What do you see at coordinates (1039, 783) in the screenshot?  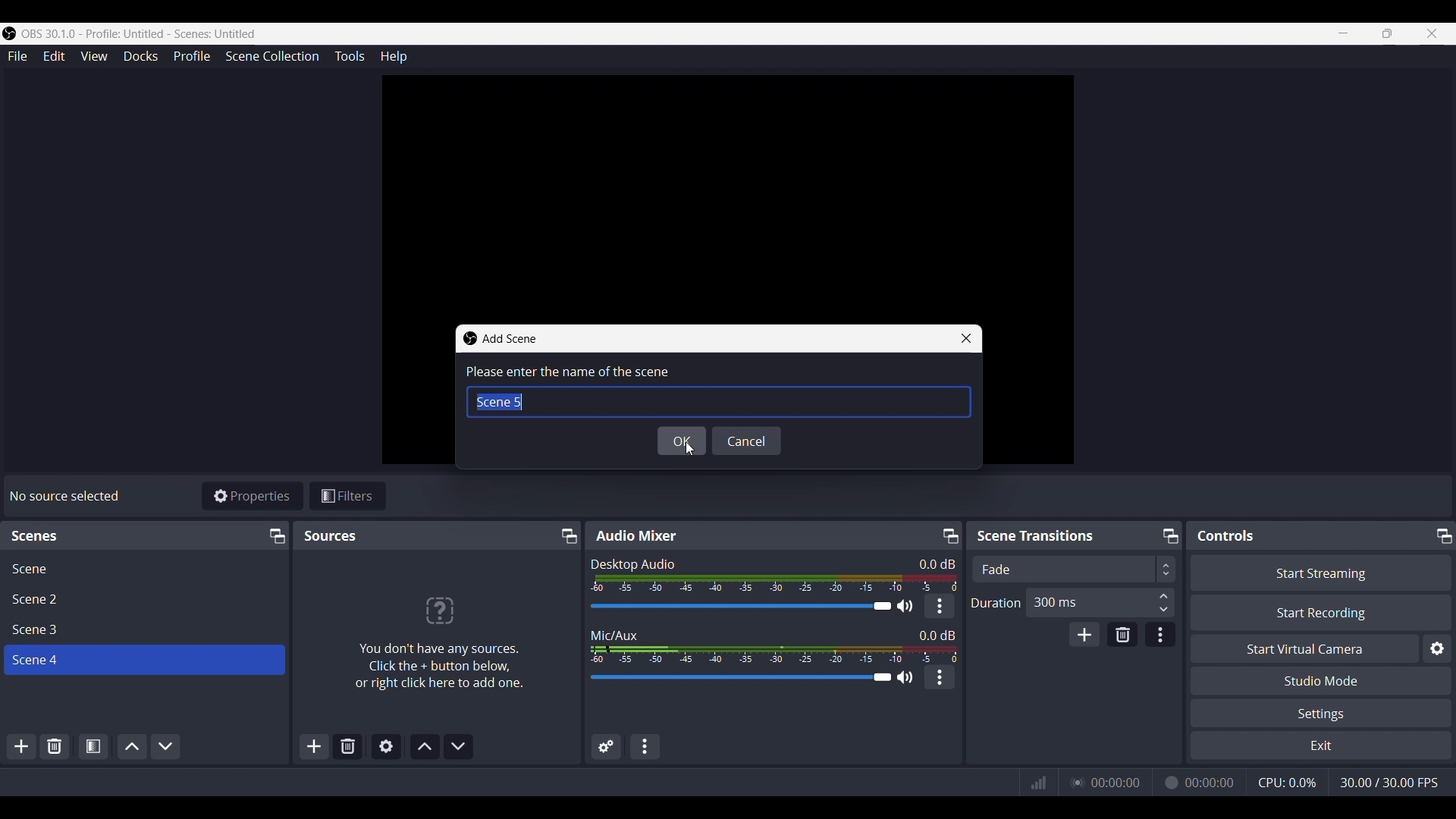 I see `Graph` at bounding box center [1039, 783].